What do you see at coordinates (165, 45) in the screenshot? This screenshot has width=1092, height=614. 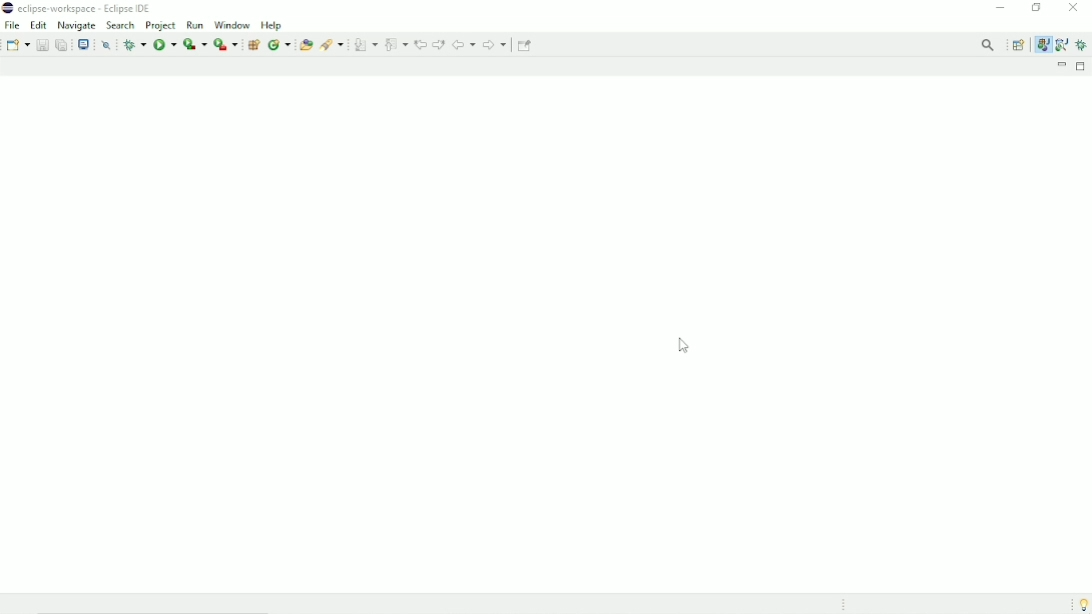 I see `Run` at bounding box center [165, 45].